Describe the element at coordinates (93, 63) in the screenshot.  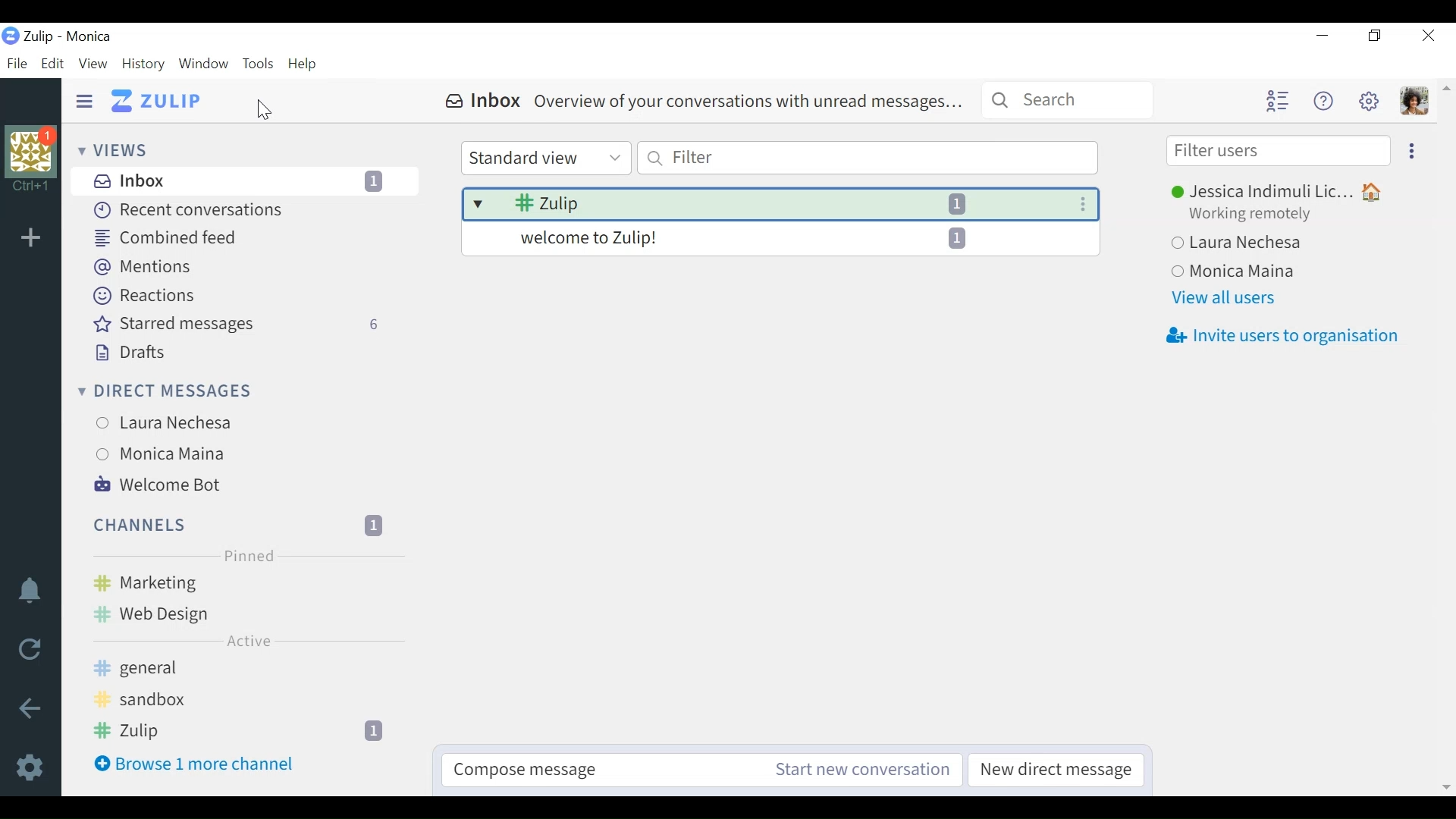
I see `View` at that location.